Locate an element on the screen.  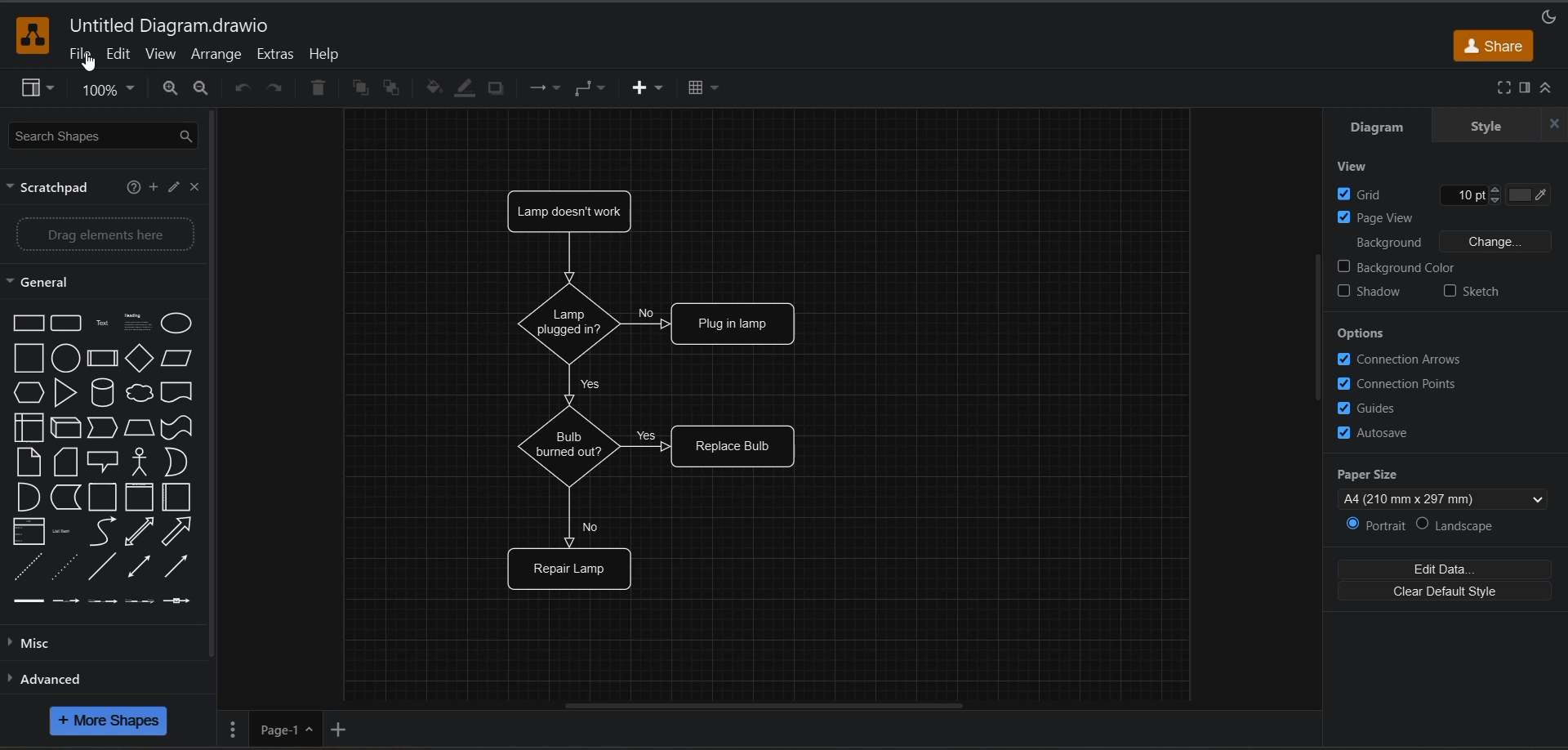
drag elements is located at coordinates (101, 237).